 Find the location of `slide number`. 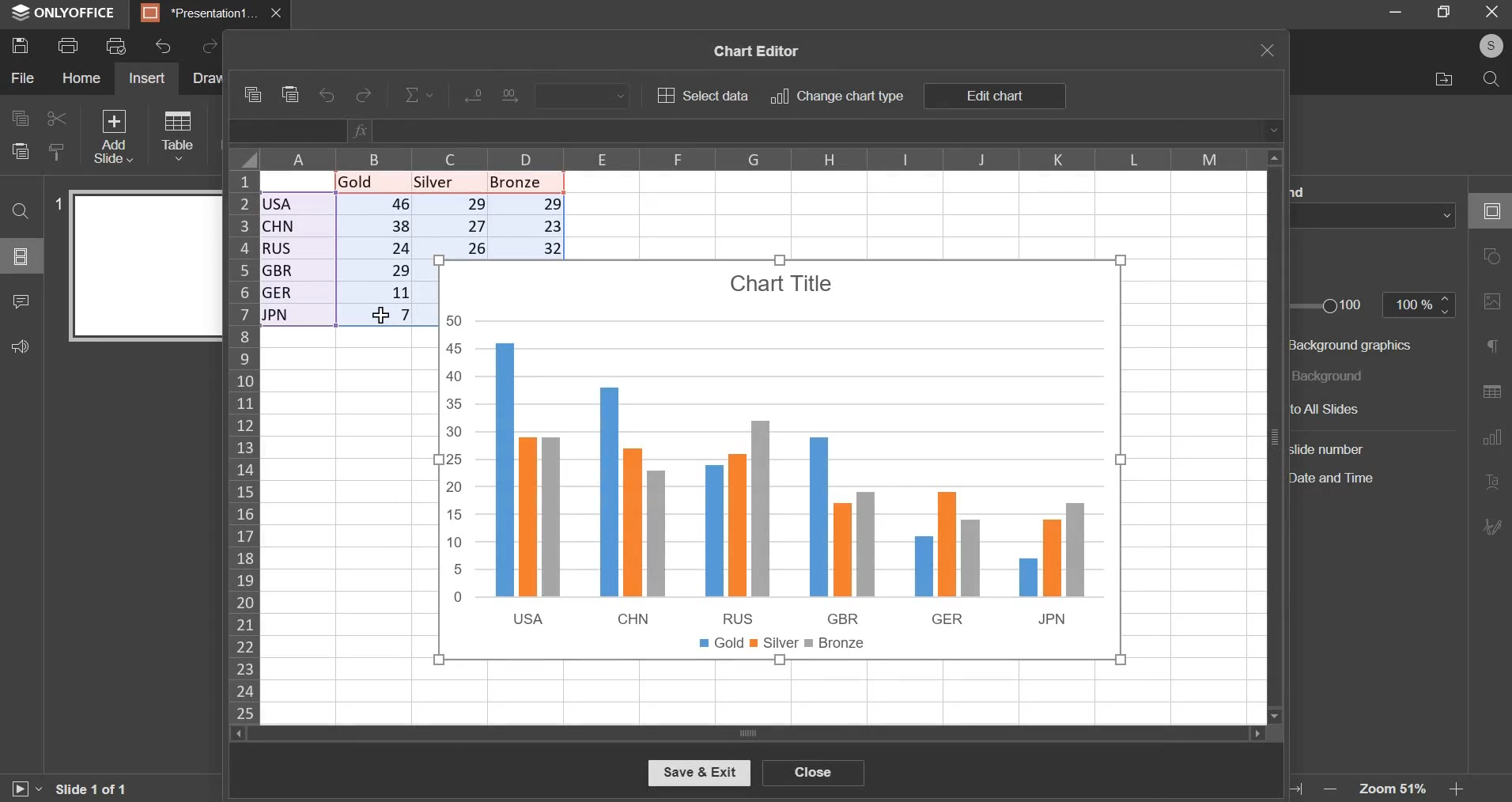

slide number is located at coordinates (1331, 448).